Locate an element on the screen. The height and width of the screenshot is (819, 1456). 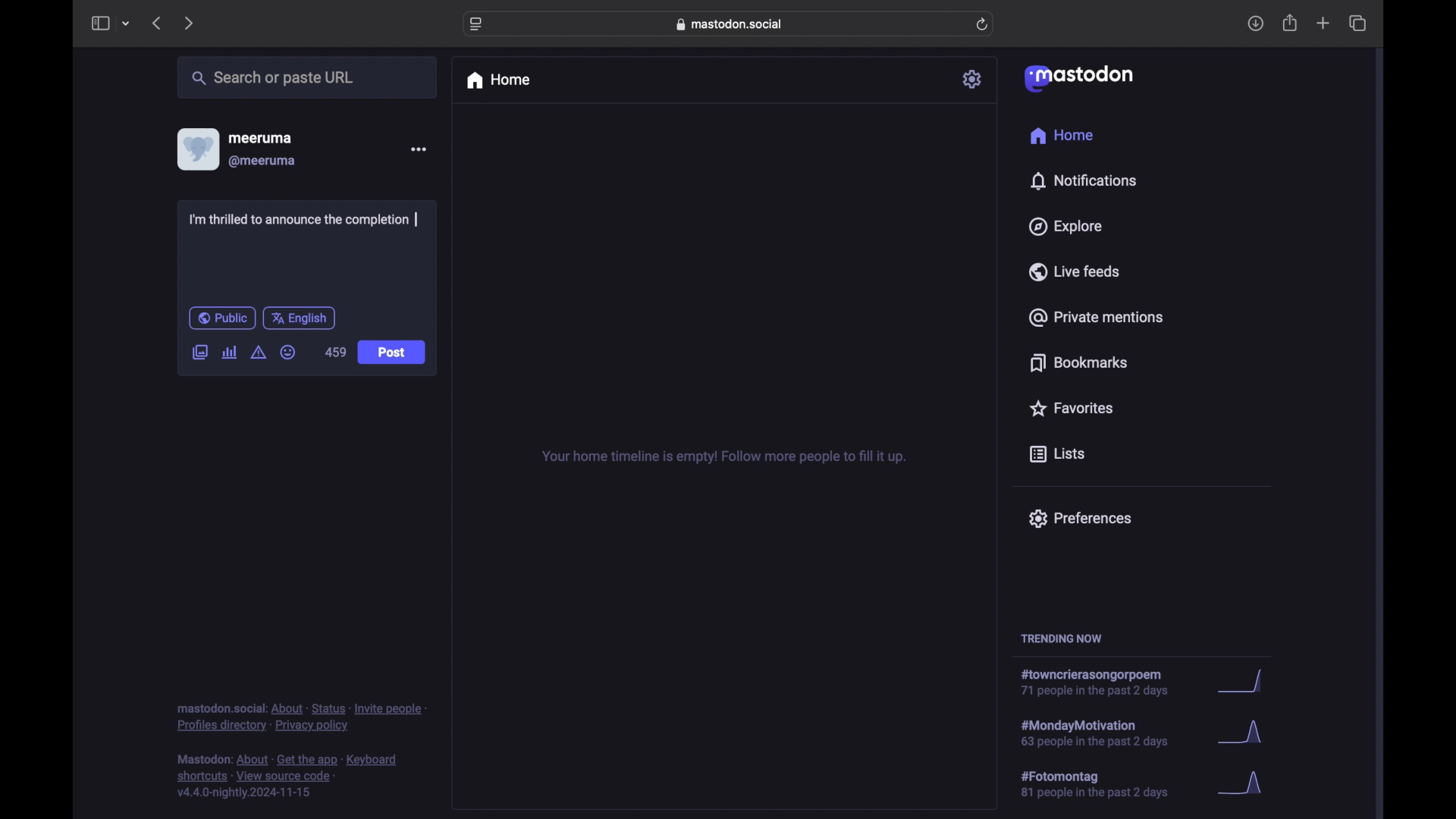
live feeds is located at coordinates (1073, 271).